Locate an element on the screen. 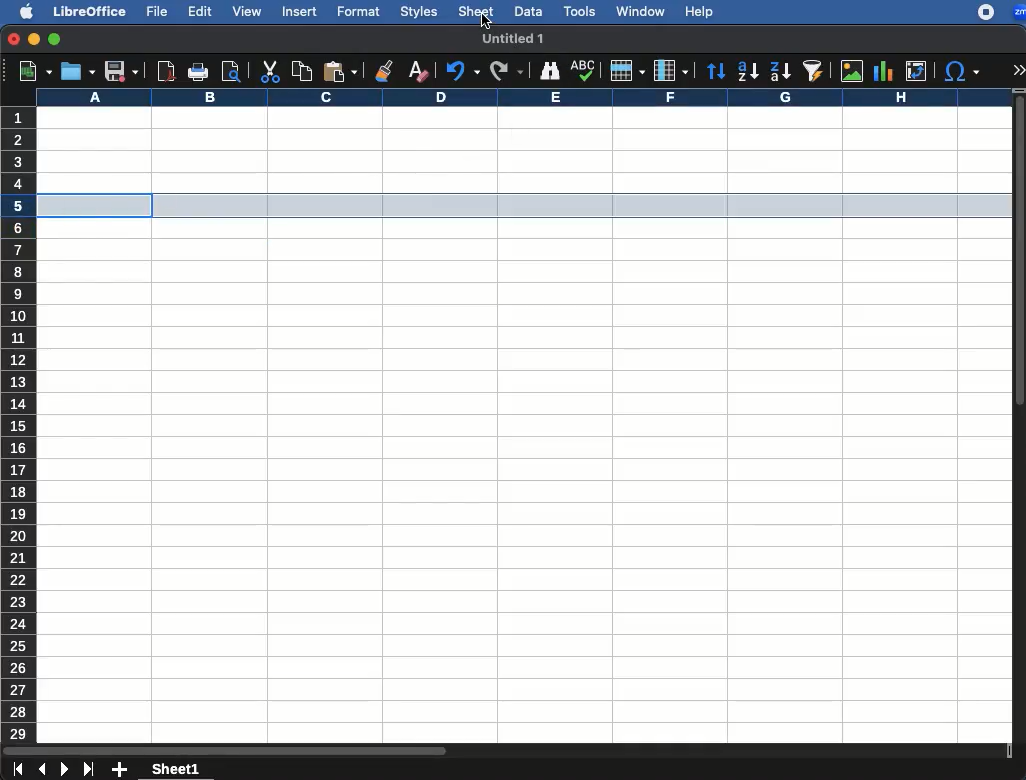  edit is located at coordinates (199, 12).